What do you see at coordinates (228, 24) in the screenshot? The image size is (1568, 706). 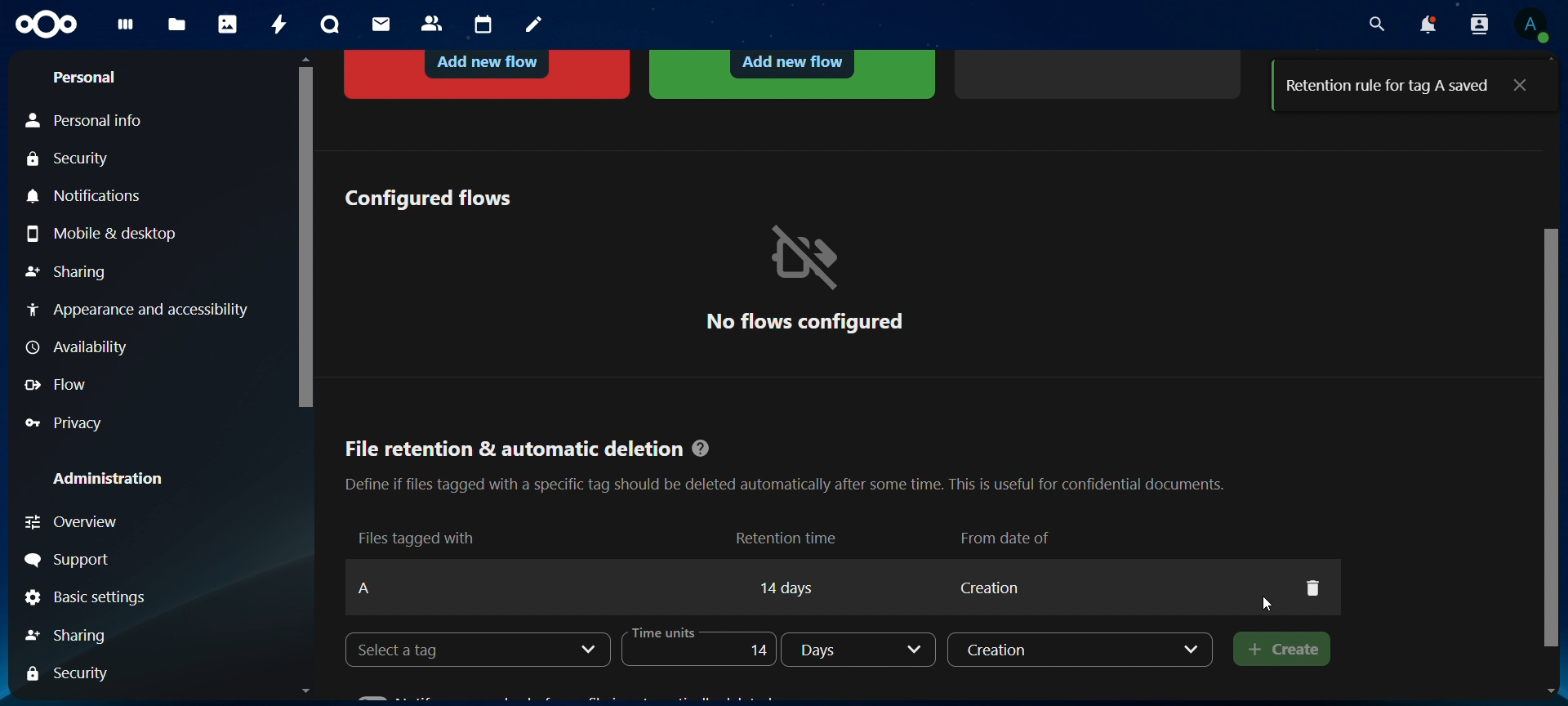 I see `photos` at bounding box center [228, 24].